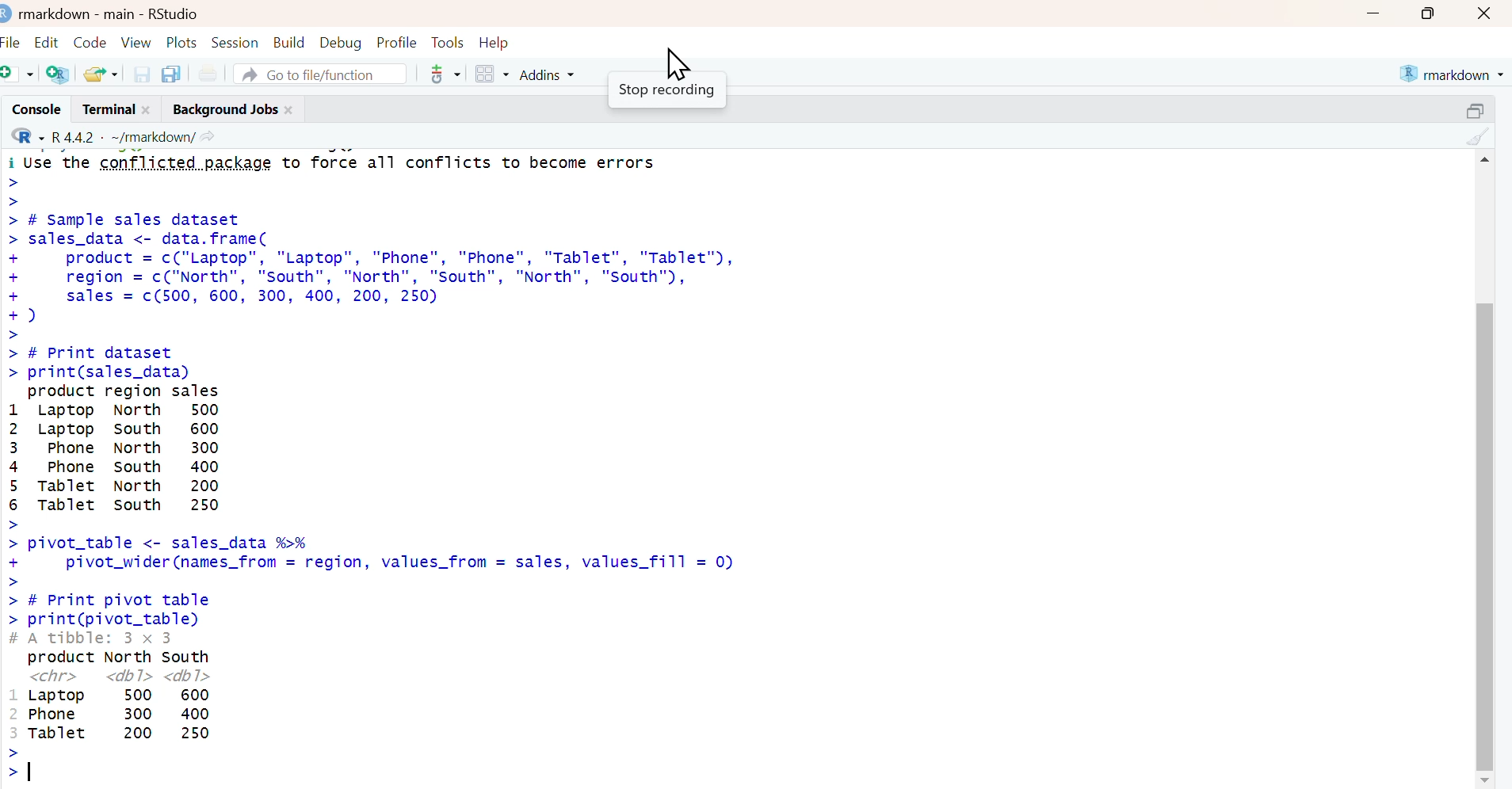  What do you see at coordinates (666, 93) in the screenshot?
I see `Stop recording` at bounding box center [666, 93].